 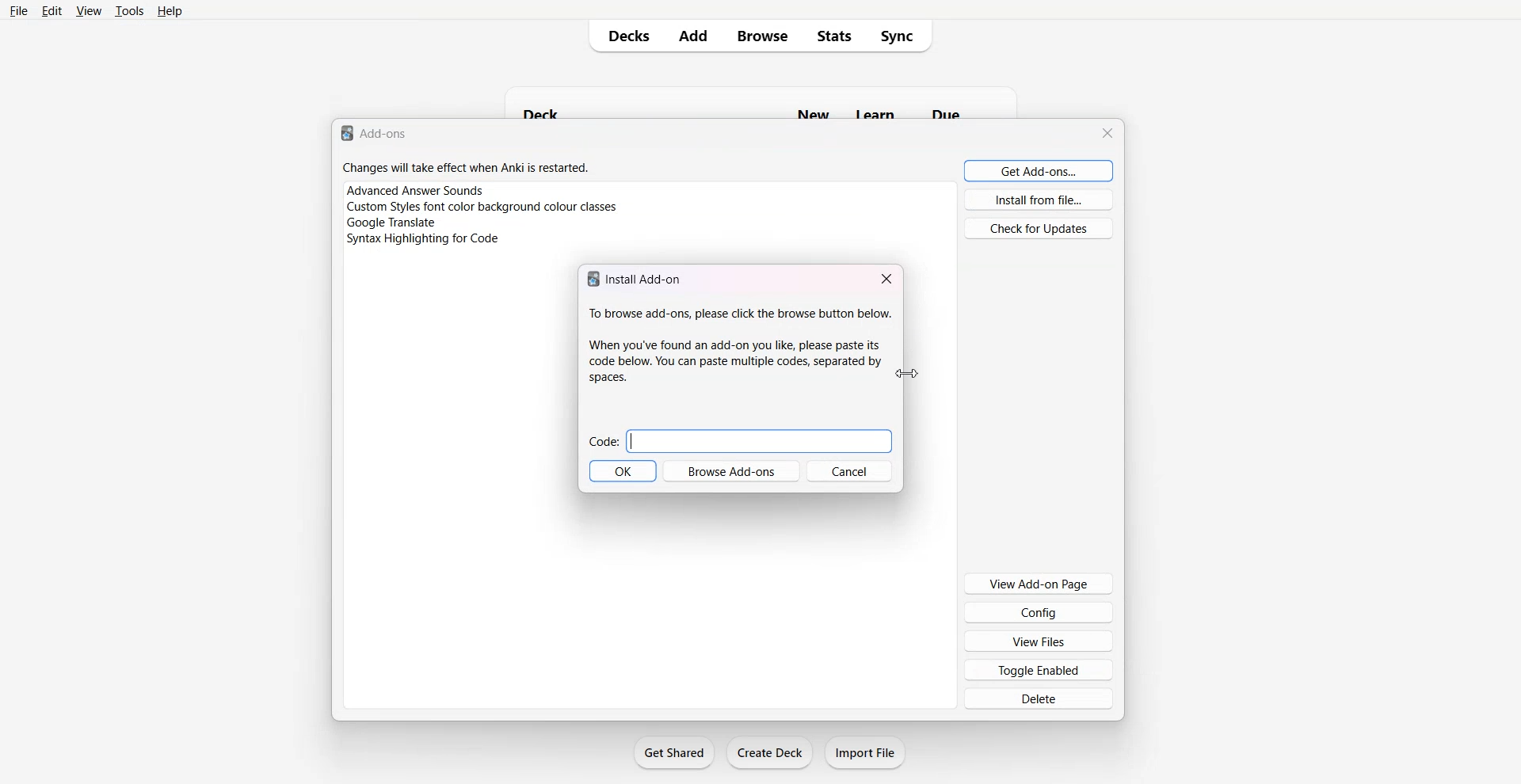 I want to click on View Files, so click(x=1039, y=640).